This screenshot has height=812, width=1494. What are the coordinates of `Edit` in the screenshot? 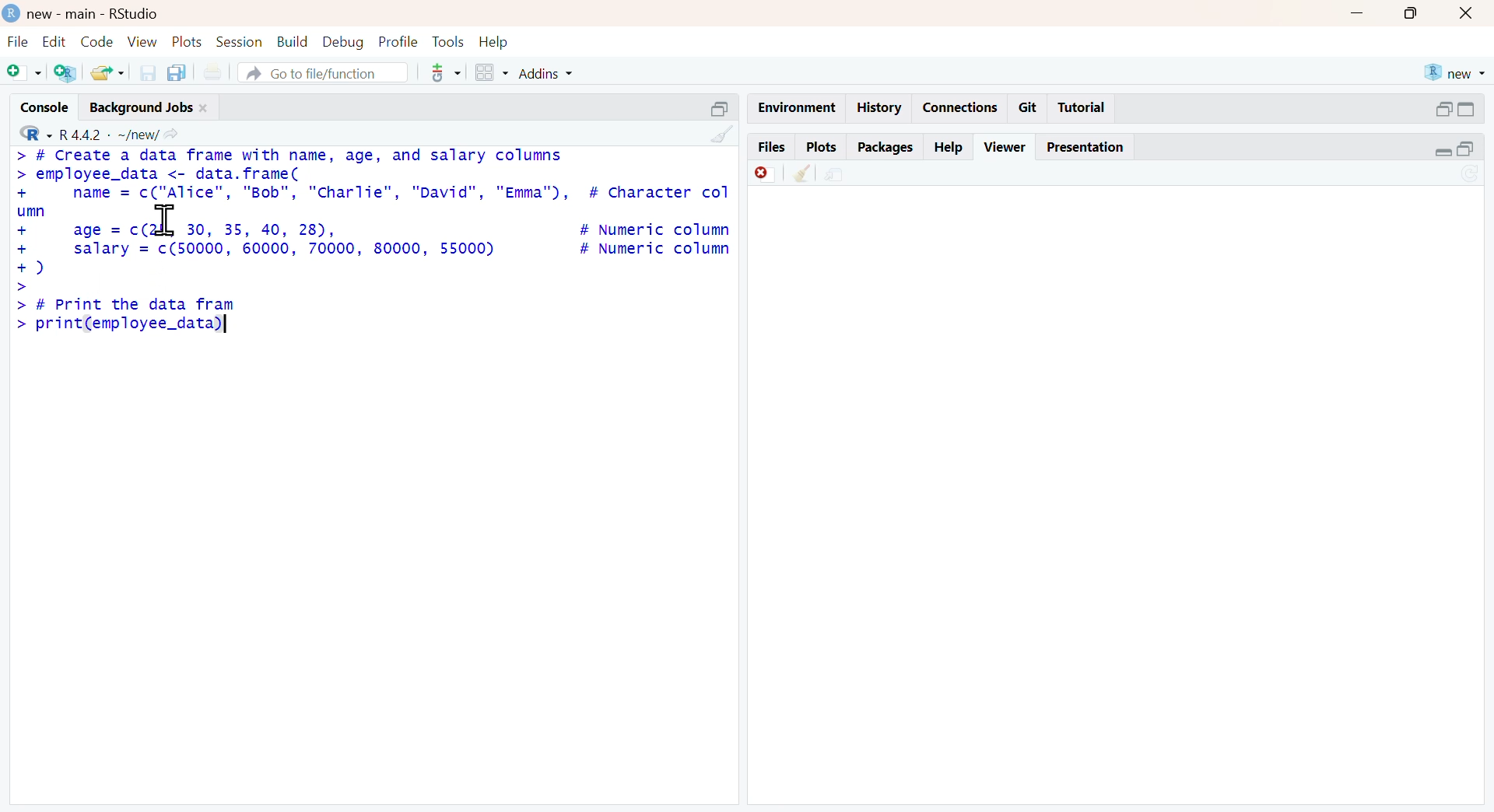 It's located at (53, 41).